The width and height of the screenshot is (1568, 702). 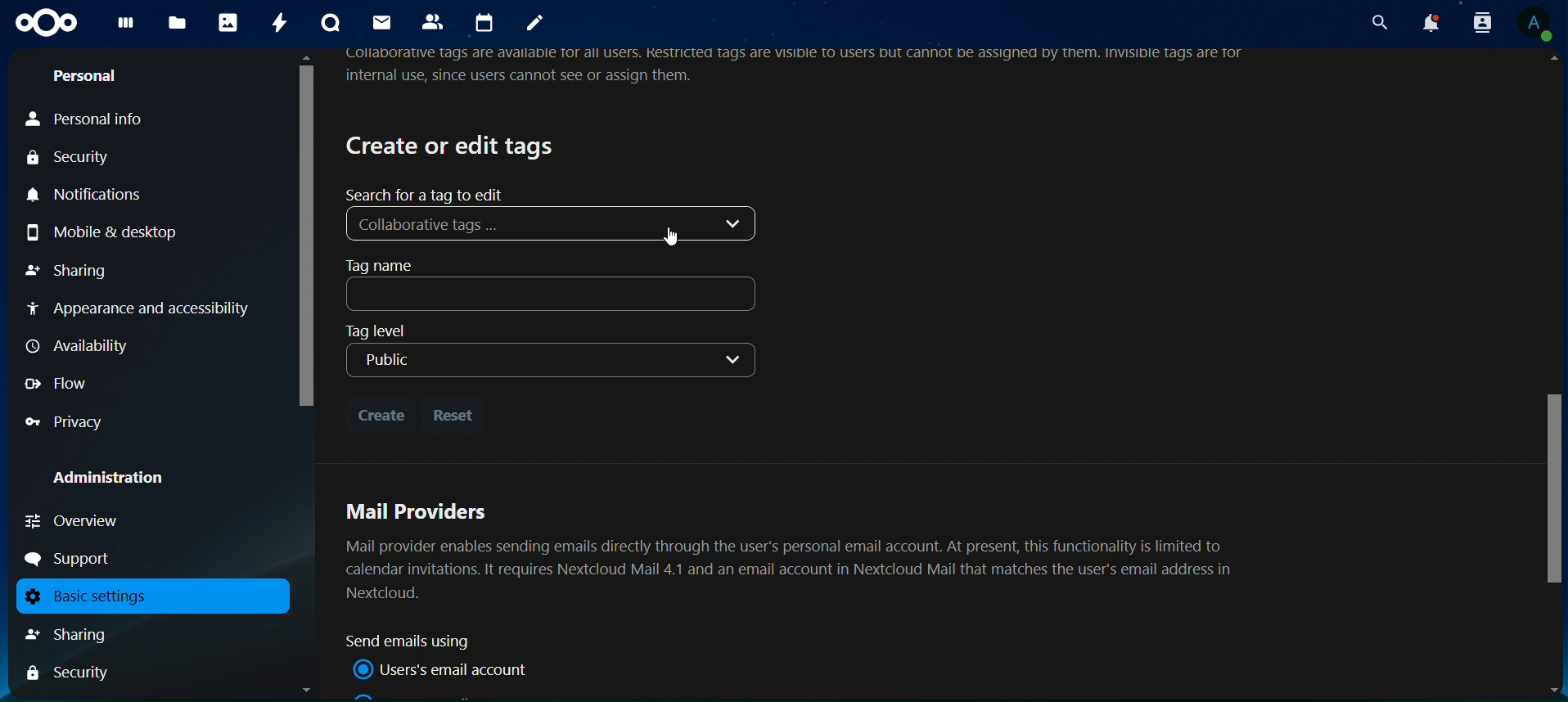 I want to click on talk, so click(x=329, y=23).